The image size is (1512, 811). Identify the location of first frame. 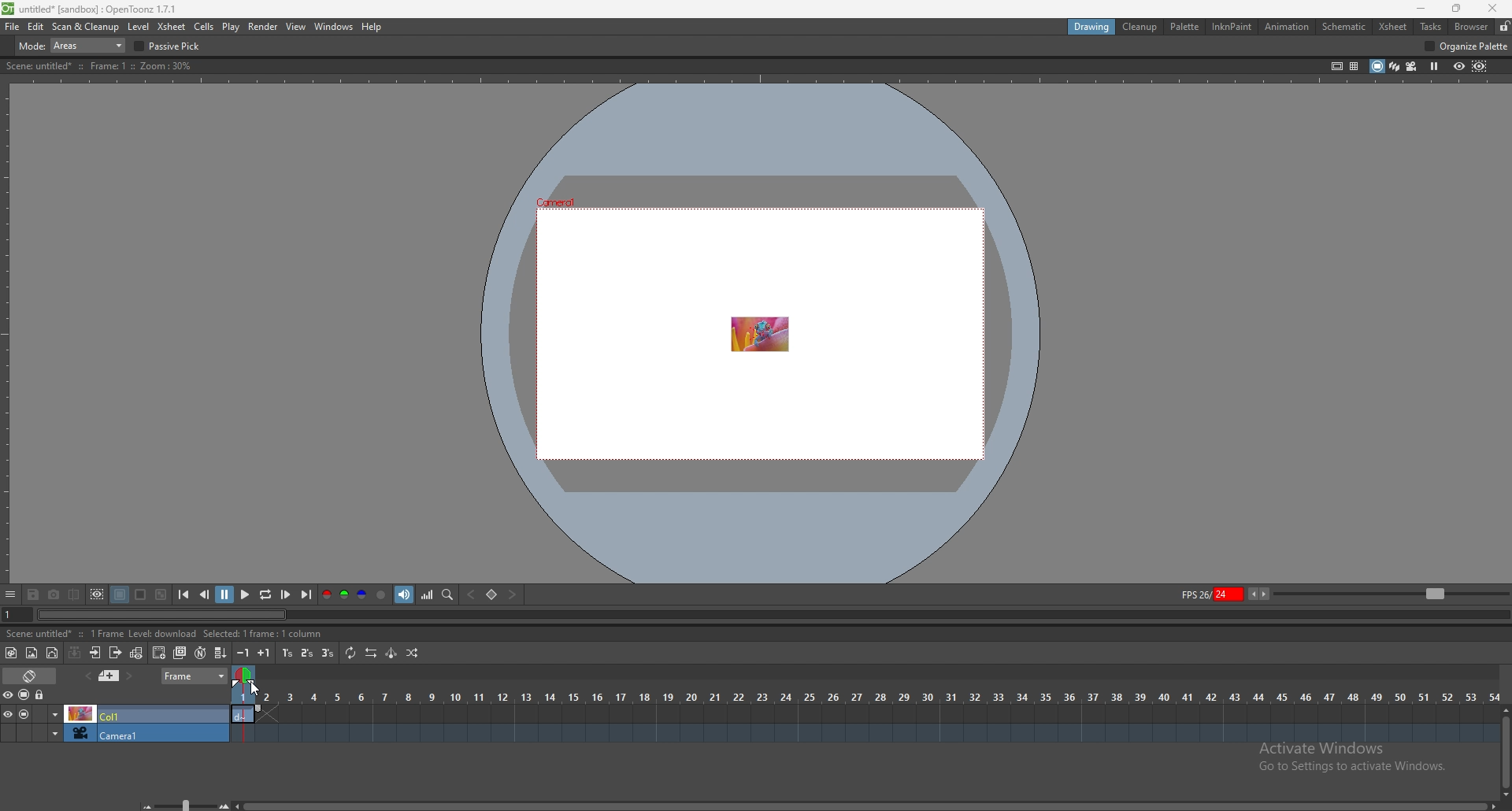
(184, 595).